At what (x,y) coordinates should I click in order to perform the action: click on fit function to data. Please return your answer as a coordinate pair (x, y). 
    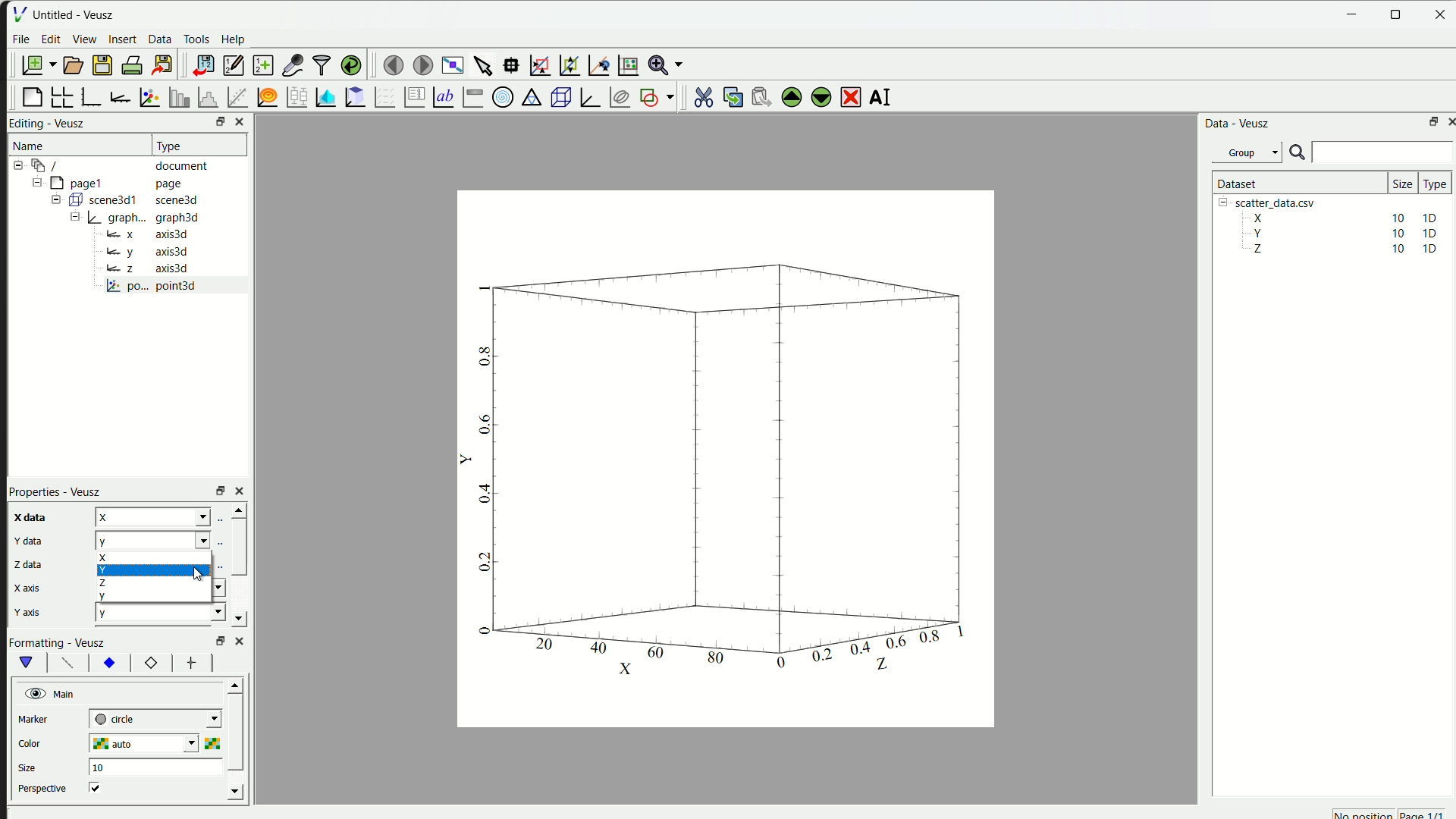
    Looking at the image, I should click on (236, 96).